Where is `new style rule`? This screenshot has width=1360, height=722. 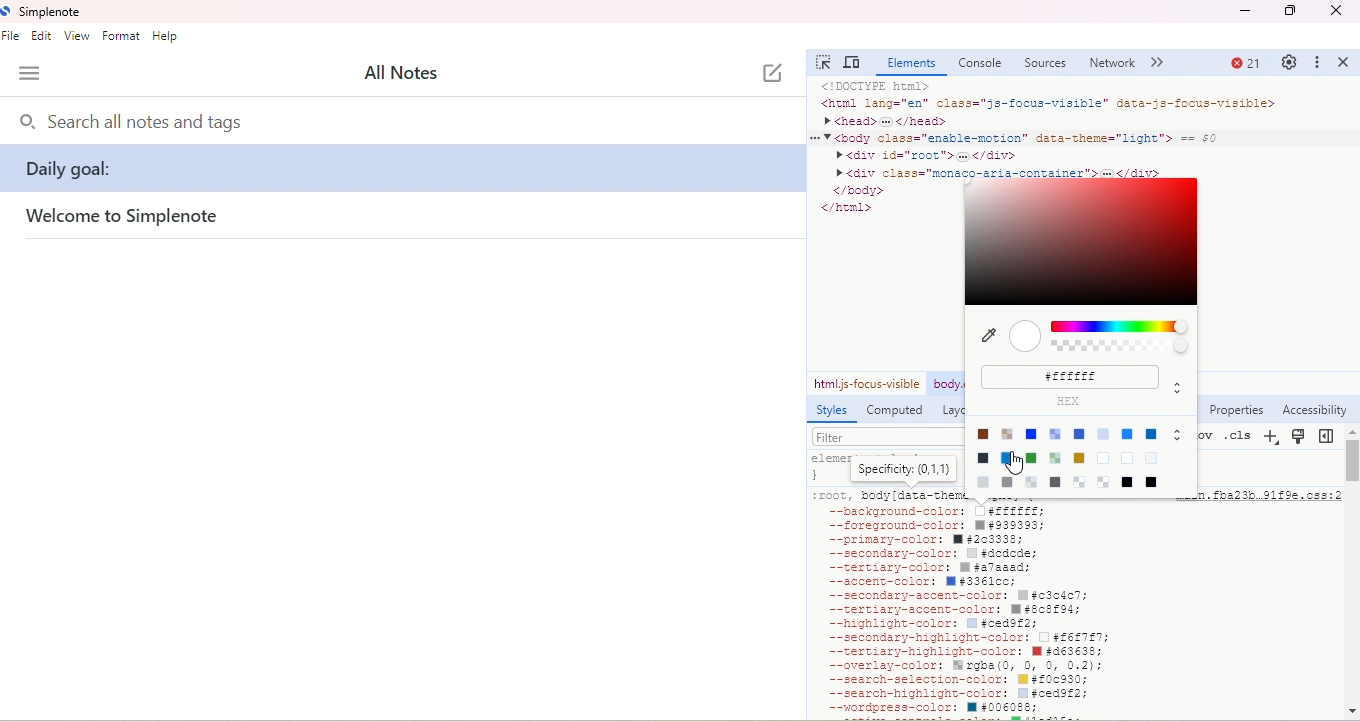 new style rule is located at coordinates (1272, 439).